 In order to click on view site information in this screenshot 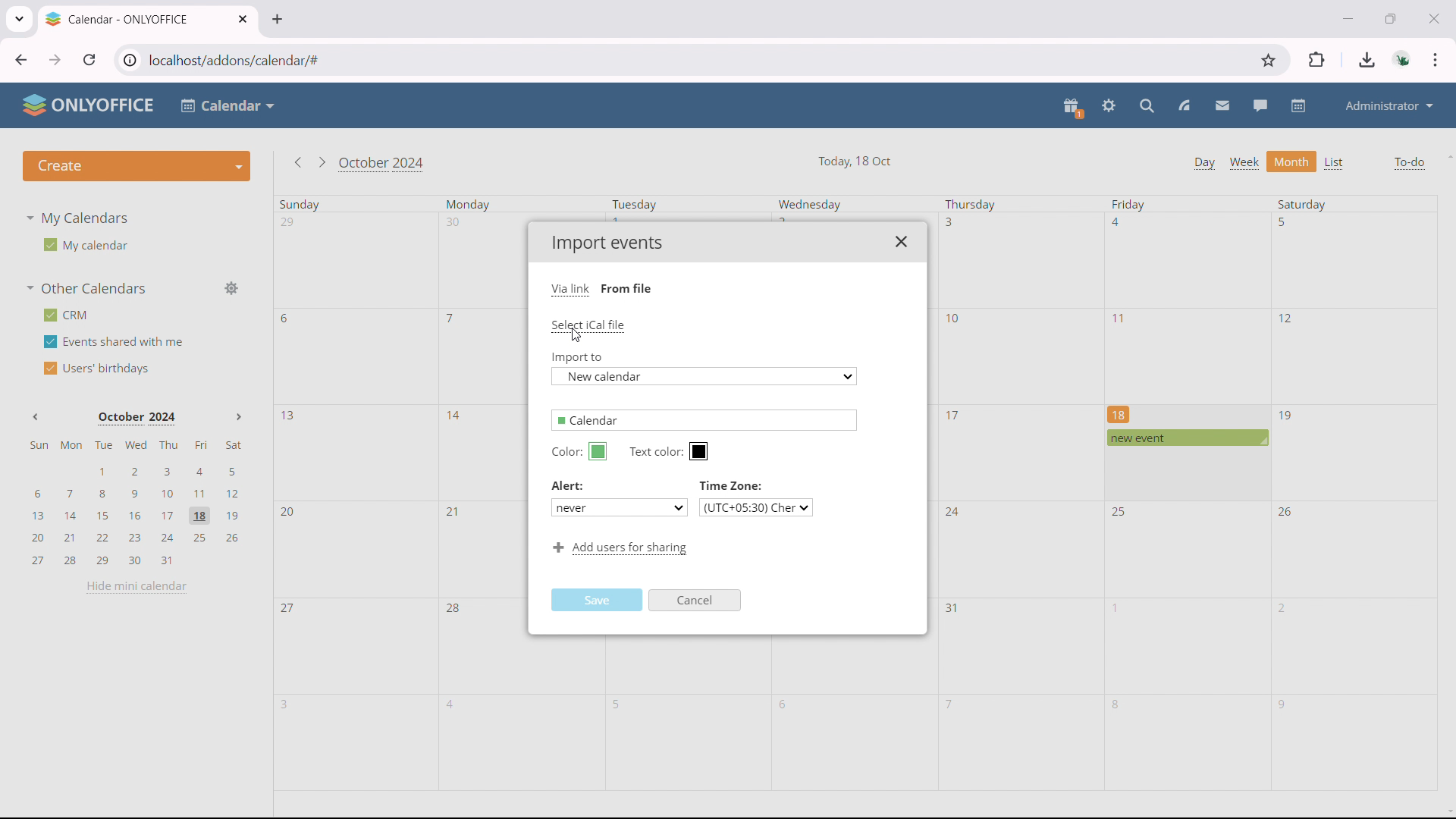, I will do `click(128, 60)`.